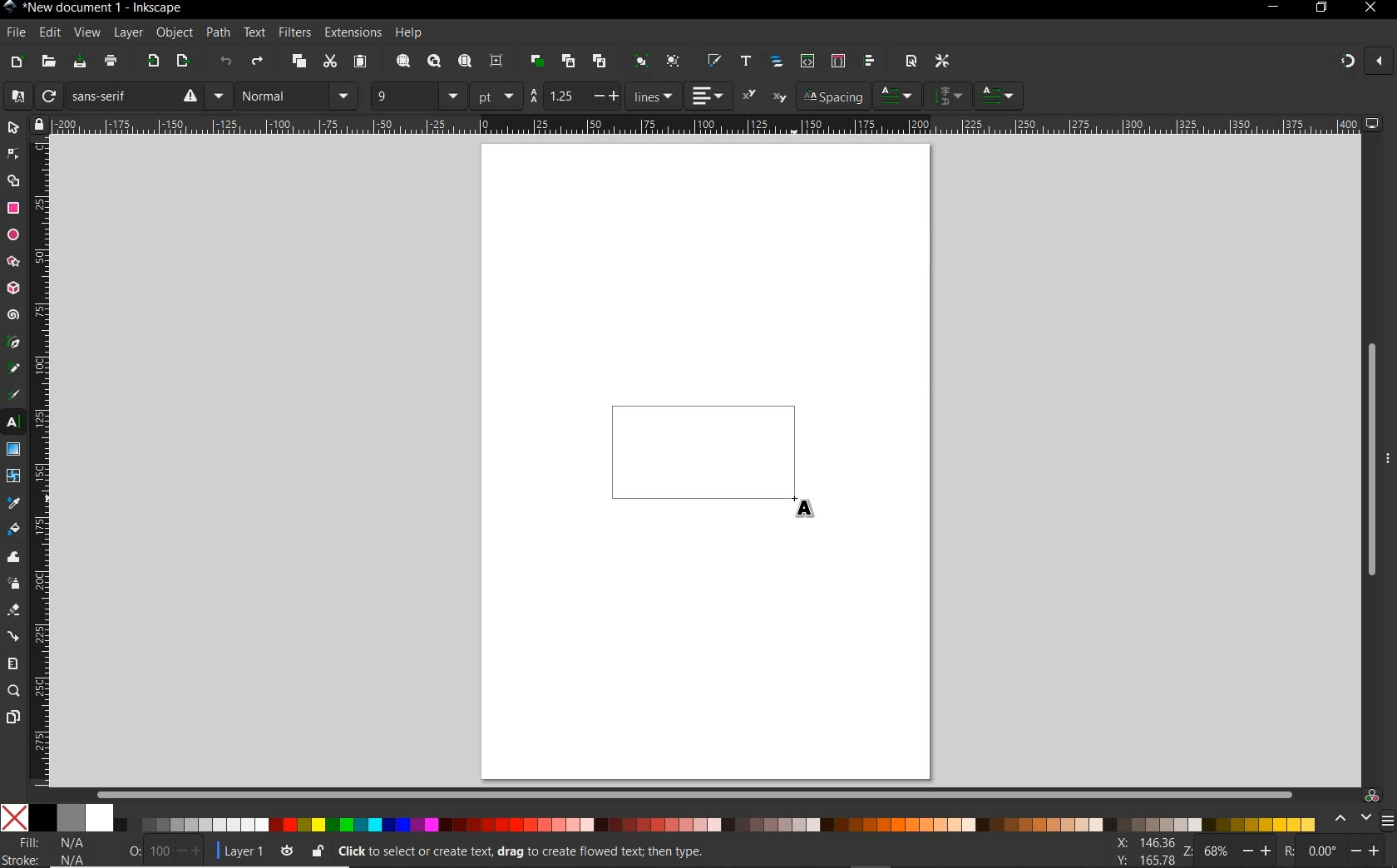 The width and height of the screenshot is (1397, 868). What do you see at coordinates (14, 691) in the screenshot?
I see `zoom tool` at bounding box center [14, 691].